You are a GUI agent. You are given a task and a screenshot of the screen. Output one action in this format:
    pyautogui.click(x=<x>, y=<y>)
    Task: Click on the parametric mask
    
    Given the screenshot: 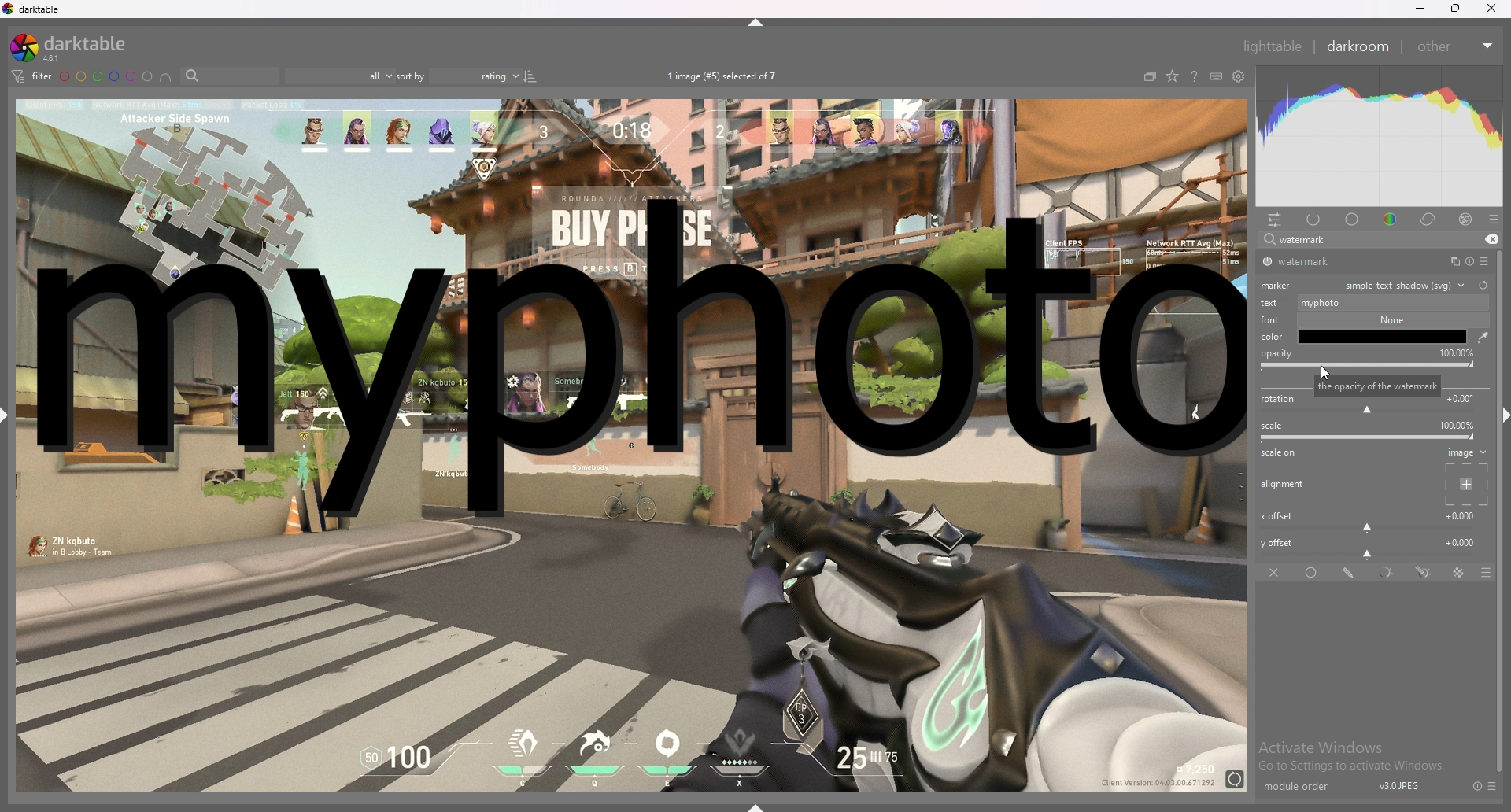 What is the action you would take?
    pyautogui.click(x=1388, y=573)
    